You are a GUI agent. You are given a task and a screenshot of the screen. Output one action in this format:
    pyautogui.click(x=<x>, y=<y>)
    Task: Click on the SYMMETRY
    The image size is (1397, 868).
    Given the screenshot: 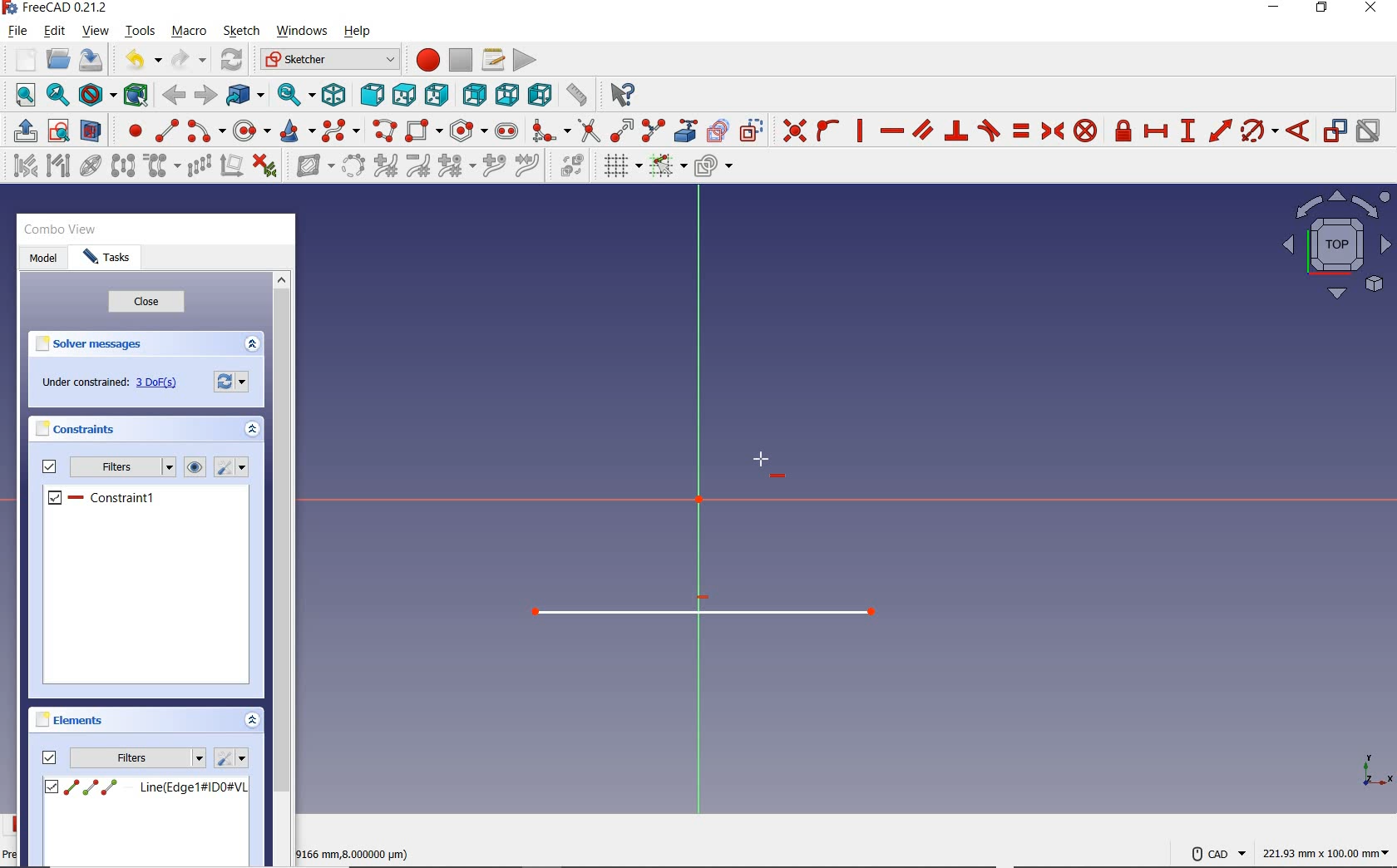 What is the action you would take?
    pyautogui.click(x=123, y=165)
    